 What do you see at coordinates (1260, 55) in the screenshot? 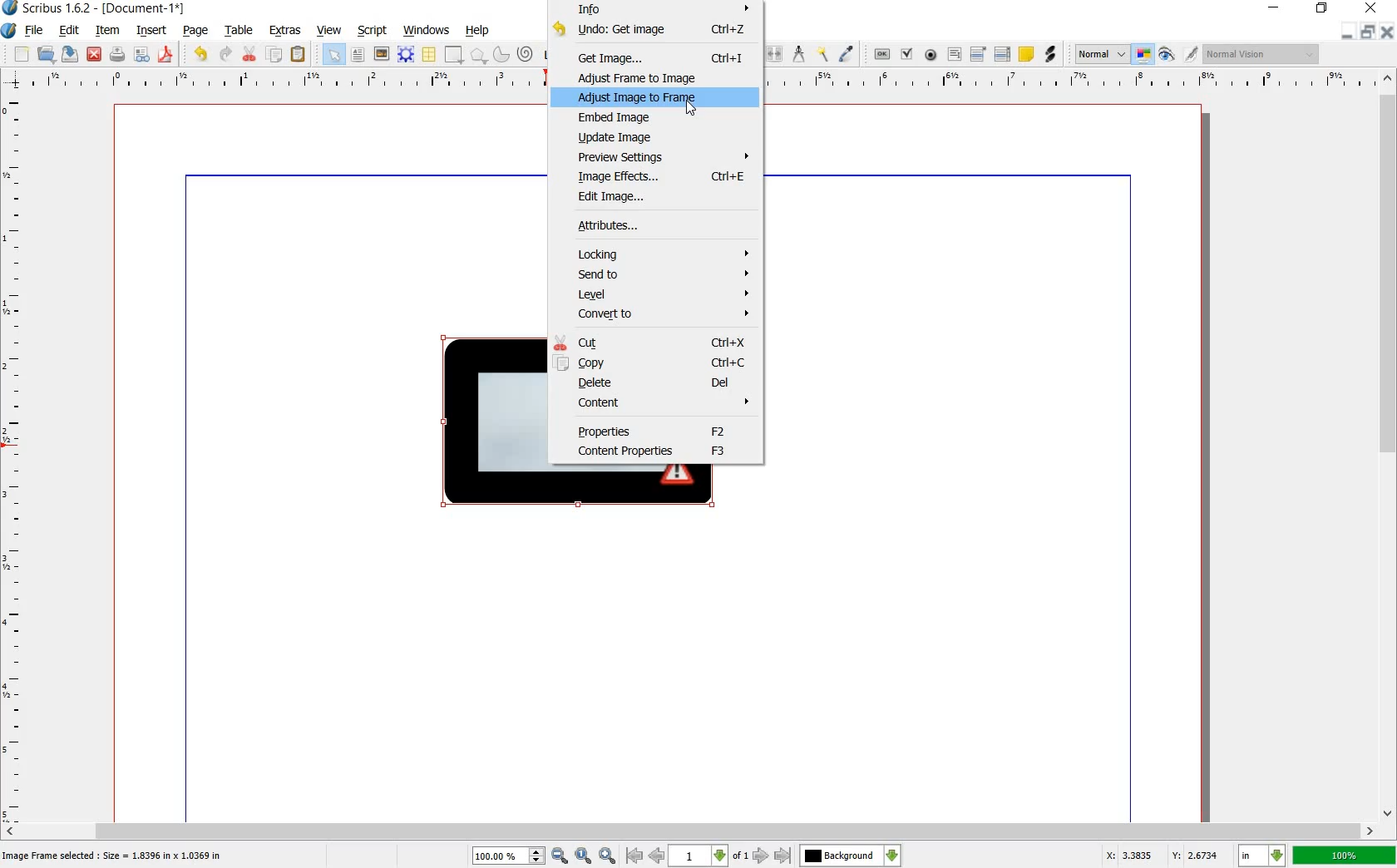
I see `visual appearance of the display` at bounding box center [1260, 55].